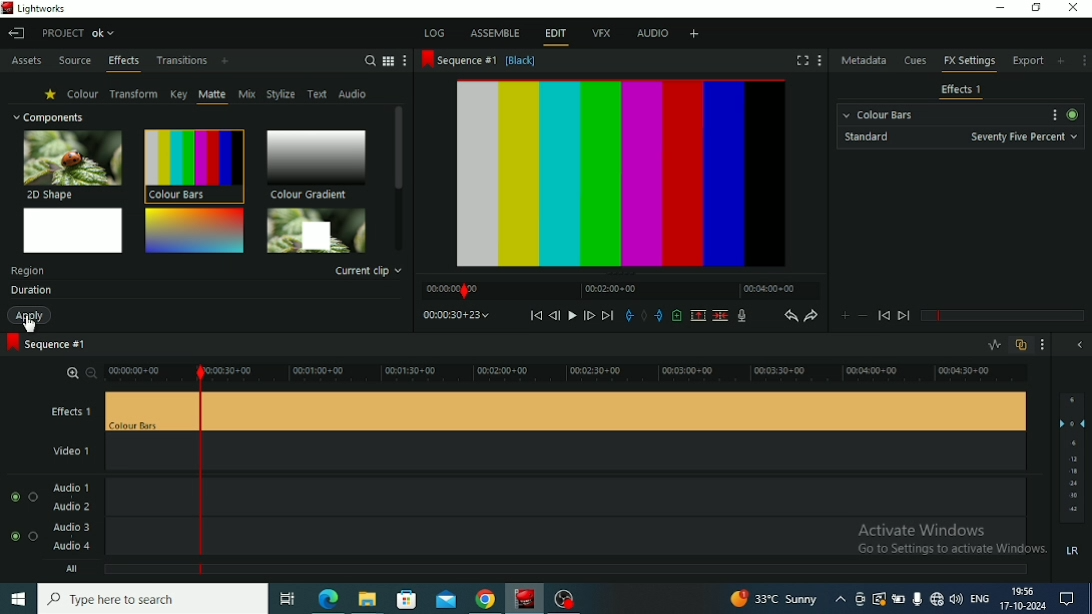 The height and width of the screenshot is (614, 1092). Describe the element at coordinates (959, 137) in the screenshot. I see `Standard` at that location.